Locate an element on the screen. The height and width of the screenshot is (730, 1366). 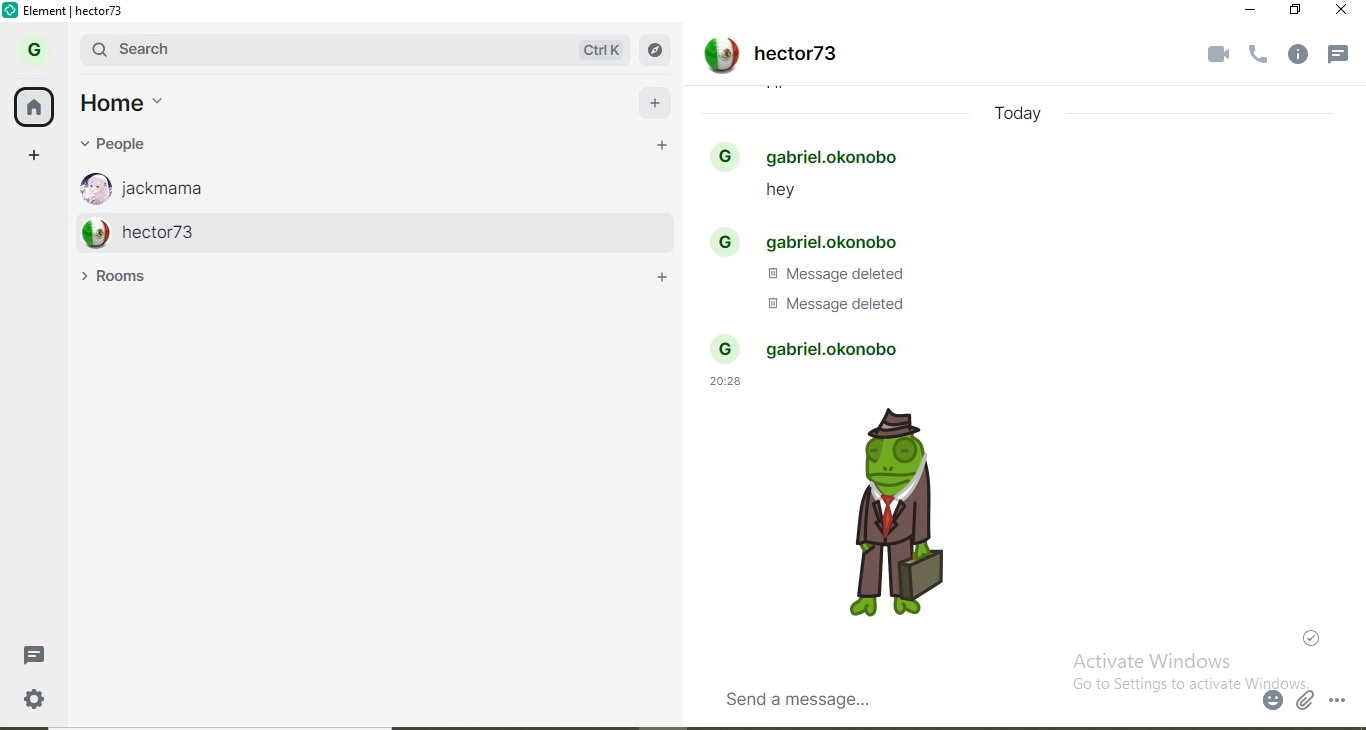
notifications is located at coordinates (1343, 57).